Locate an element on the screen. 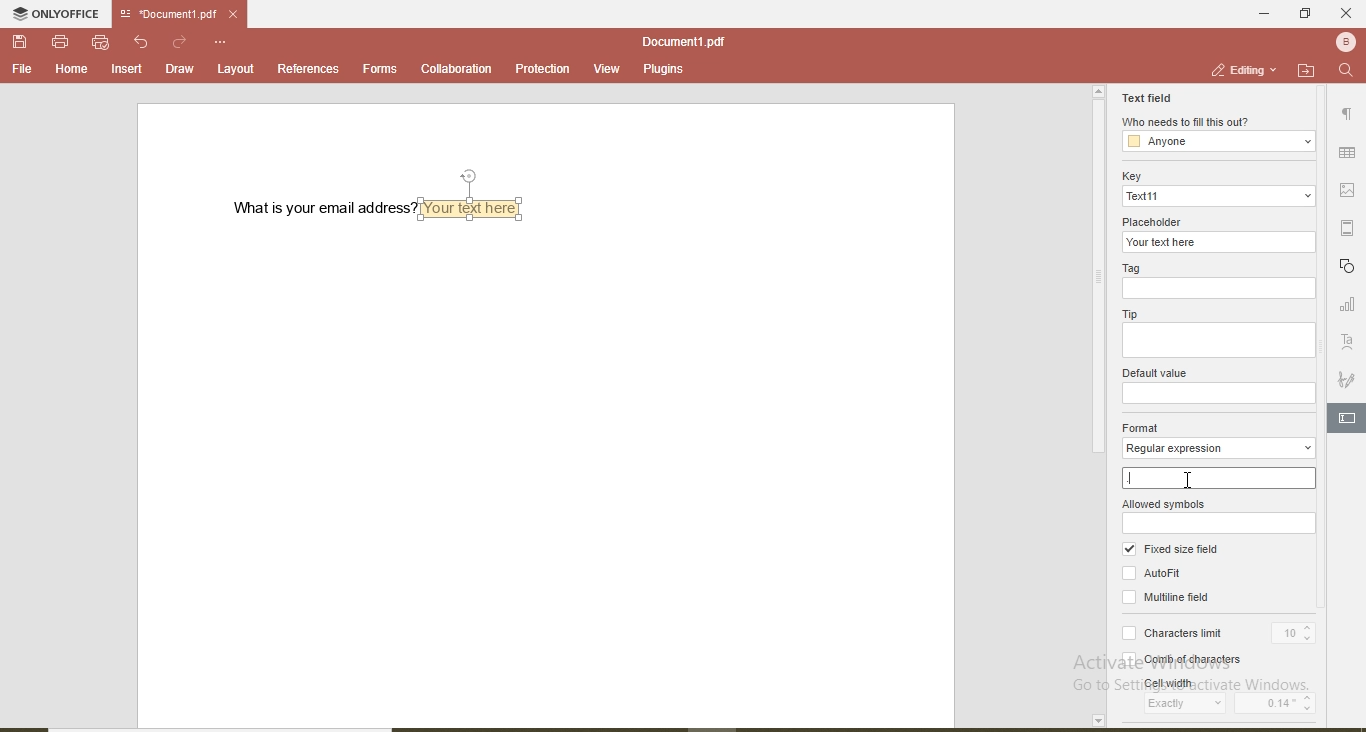  0.14 is located at coordinates (1287, 702).